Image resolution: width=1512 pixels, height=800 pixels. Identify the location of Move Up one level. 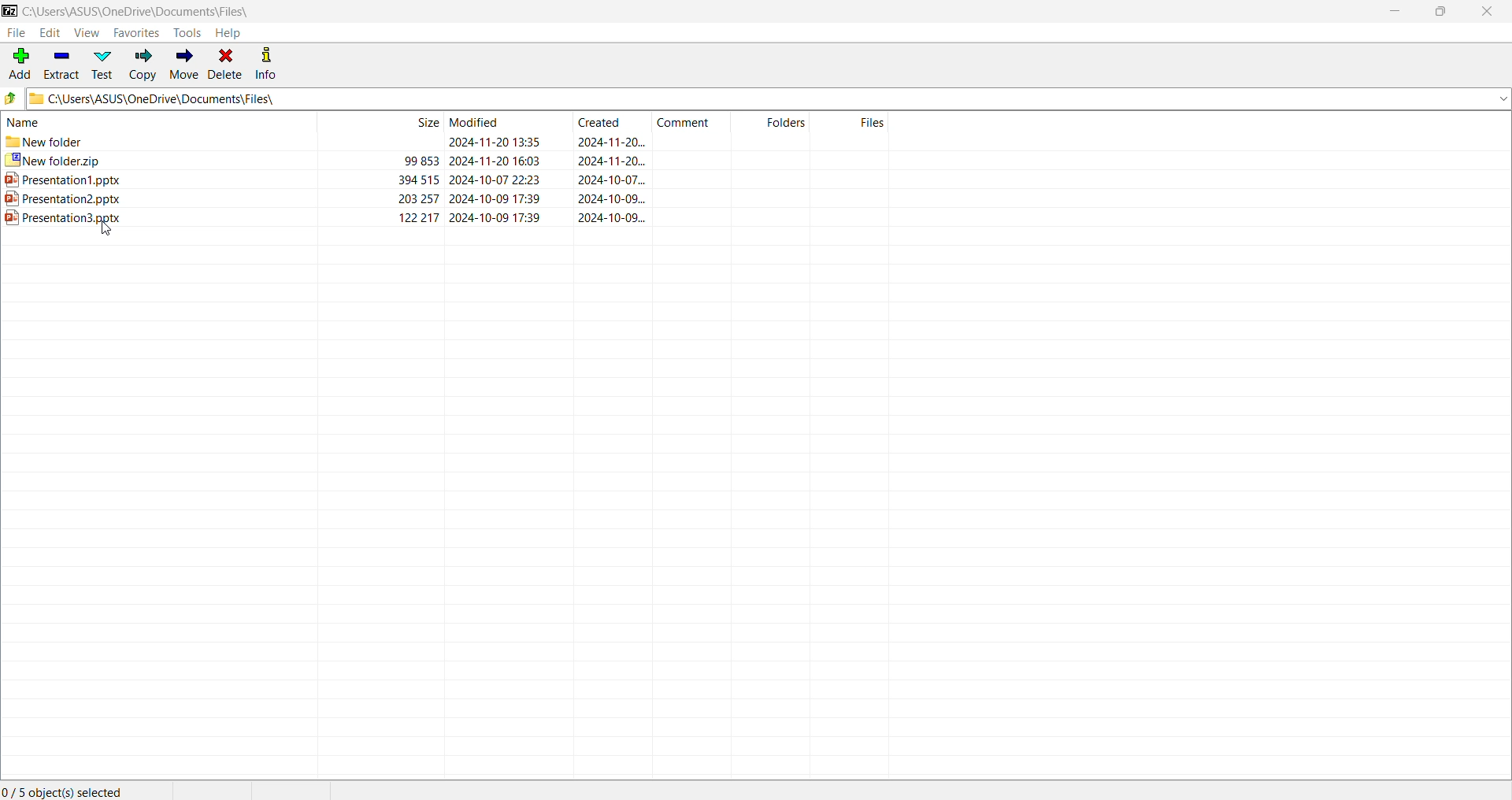
(11, 99).